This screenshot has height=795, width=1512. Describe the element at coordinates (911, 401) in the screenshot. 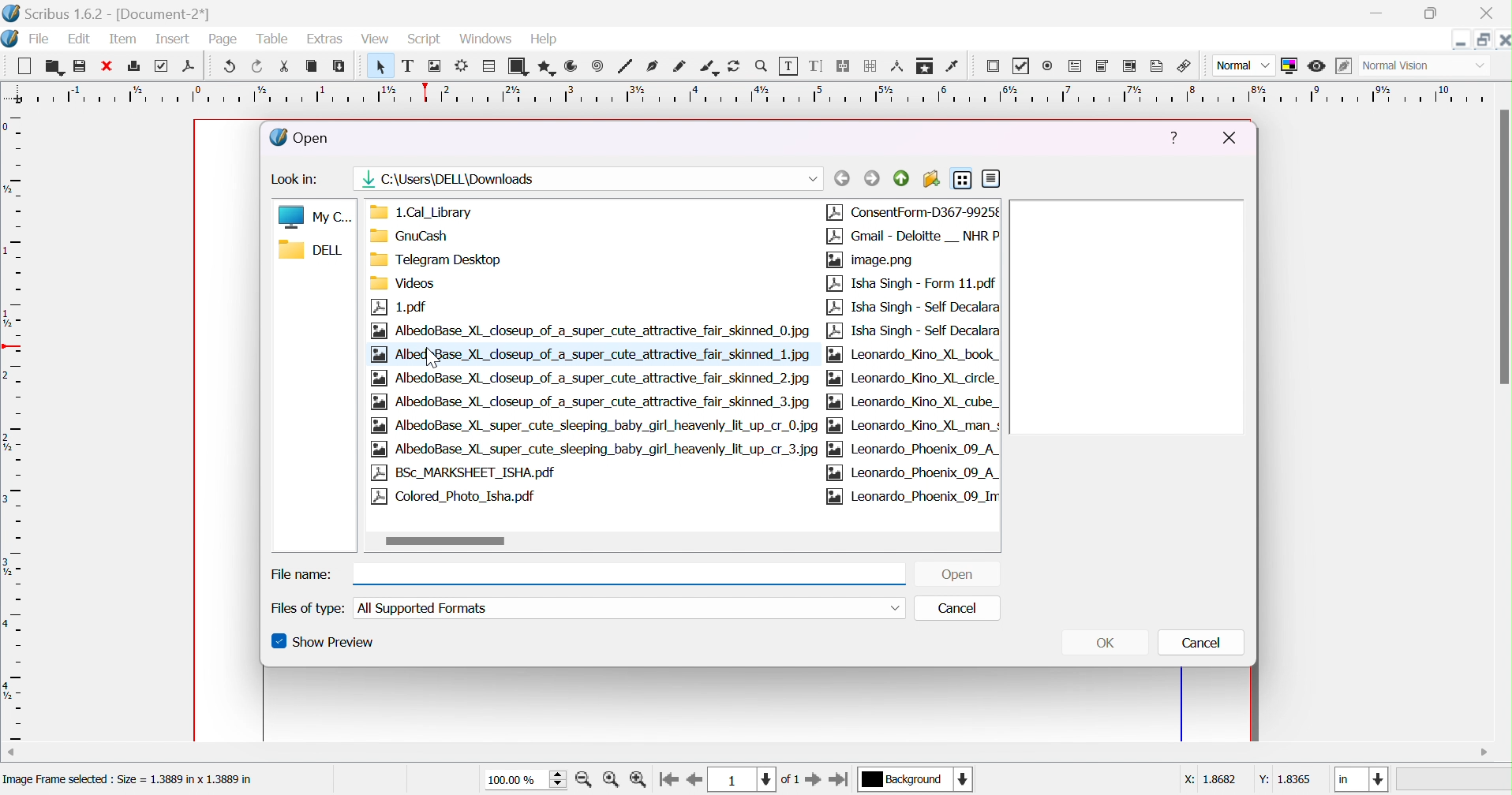

I see ` Leonardo_Kino_XL_cube_` at that location.